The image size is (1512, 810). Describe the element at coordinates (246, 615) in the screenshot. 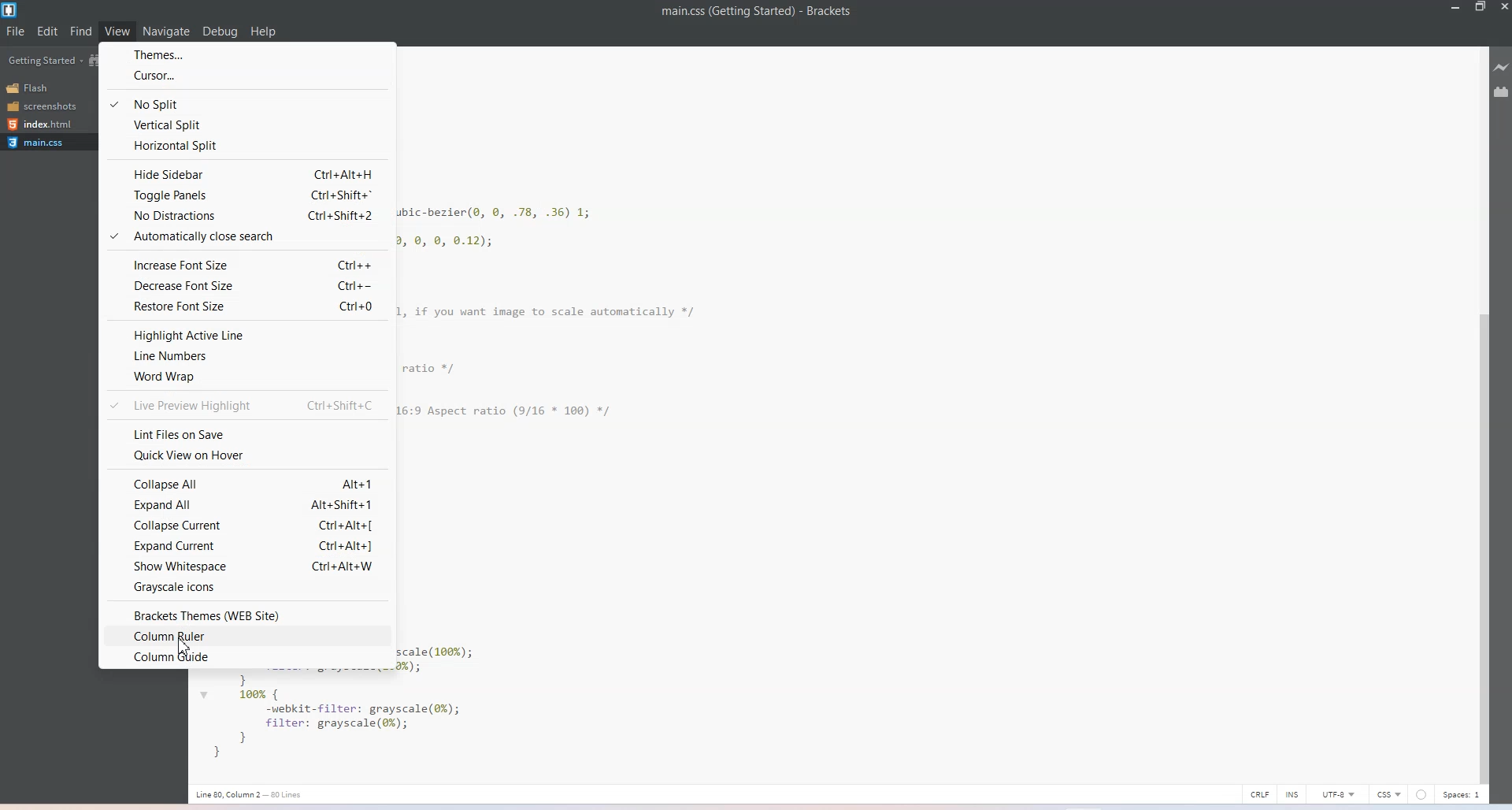

I see `Bracket themes WEB site` at that location.